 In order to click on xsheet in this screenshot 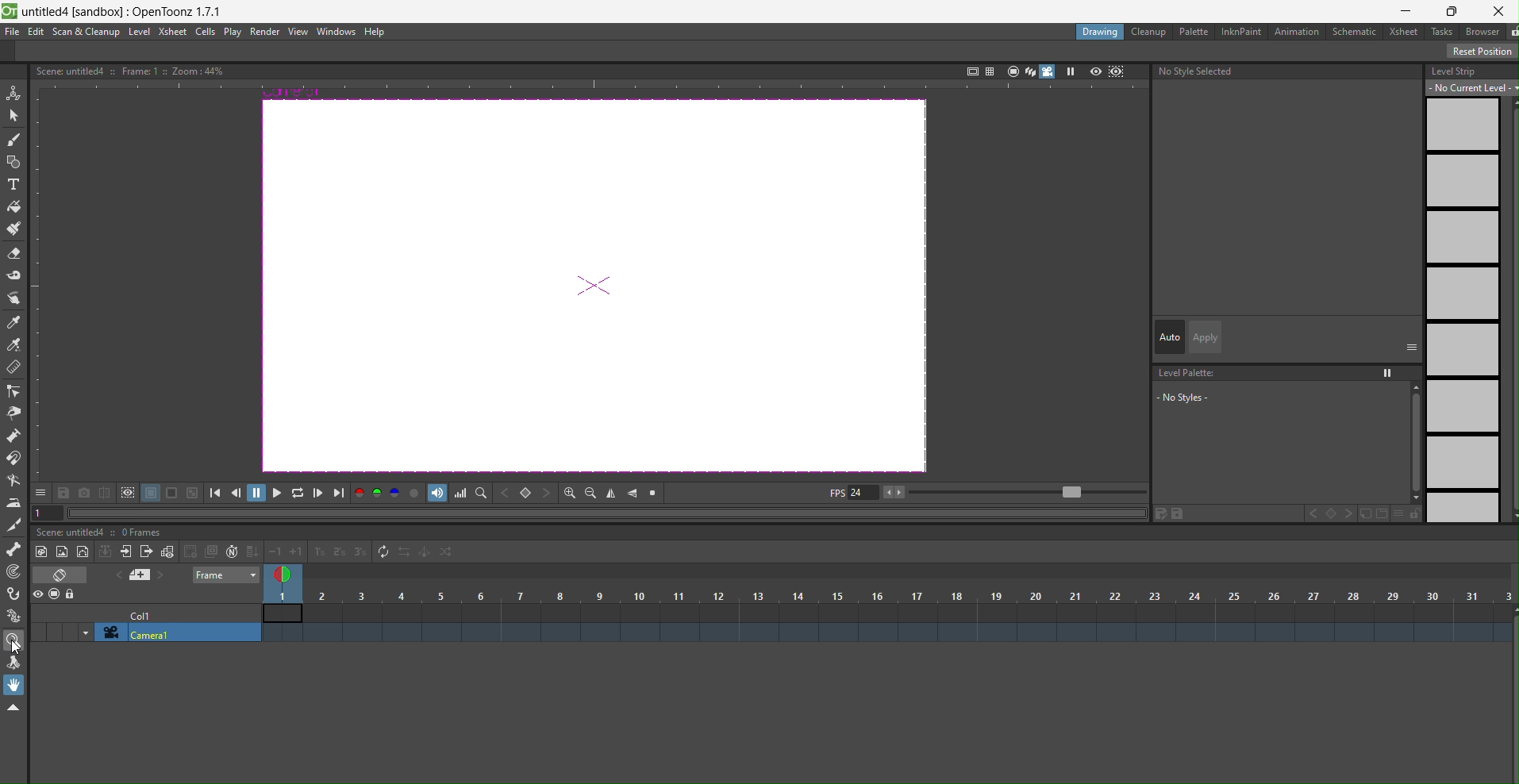, I will do `click(1405, 32)`.